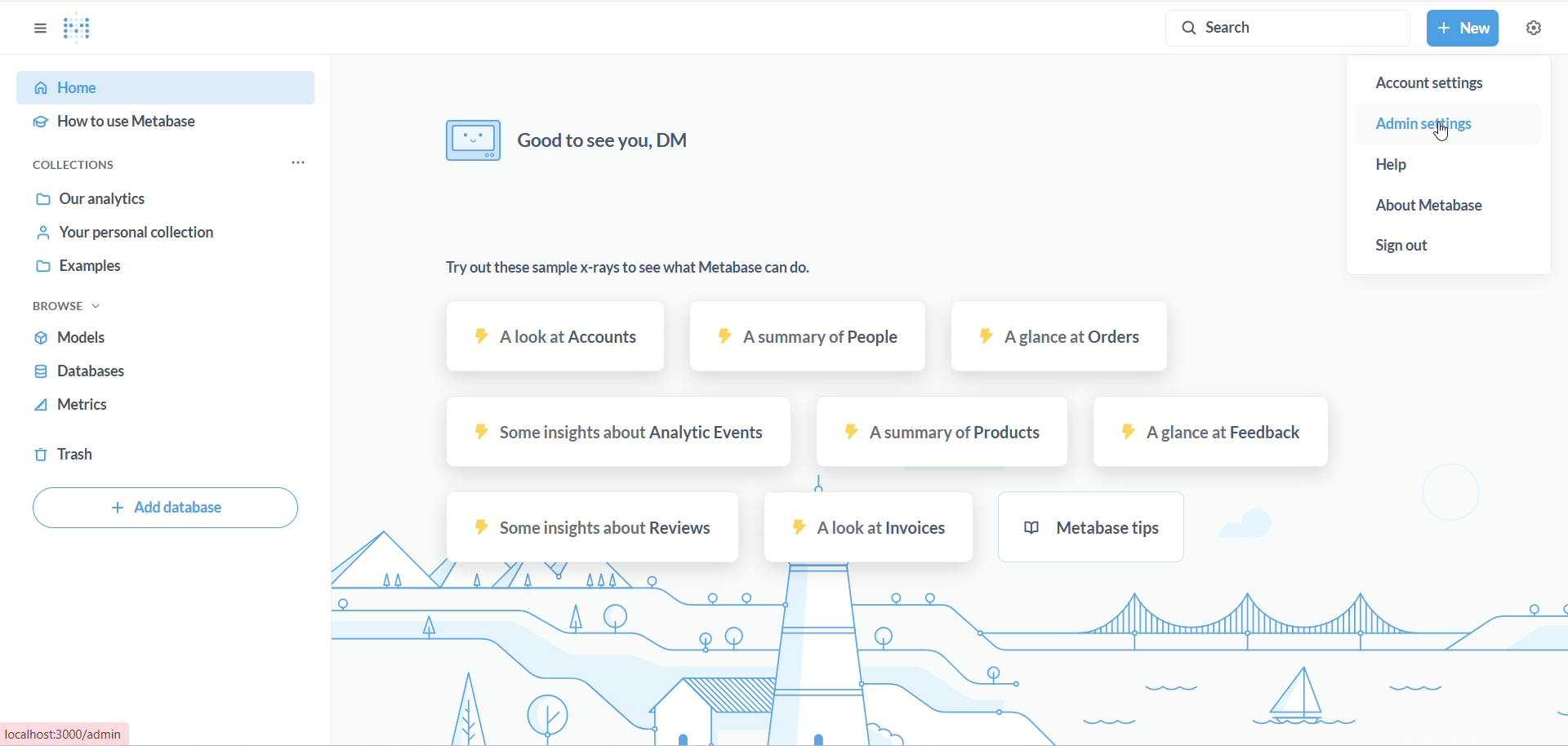  Describe the element at coordinates (300, 162) in the screenshot. I see `more` at that location.